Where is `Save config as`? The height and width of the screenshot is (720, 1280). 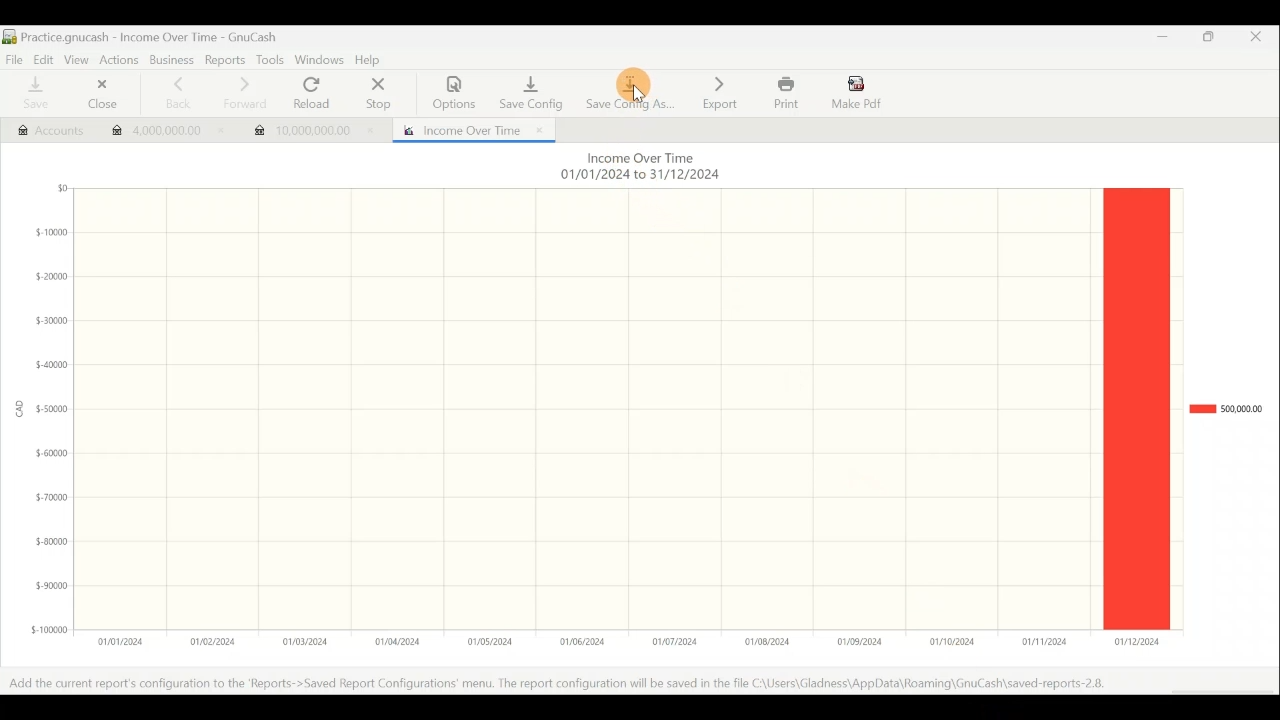 Save config as is located at coordinates (630, 90).